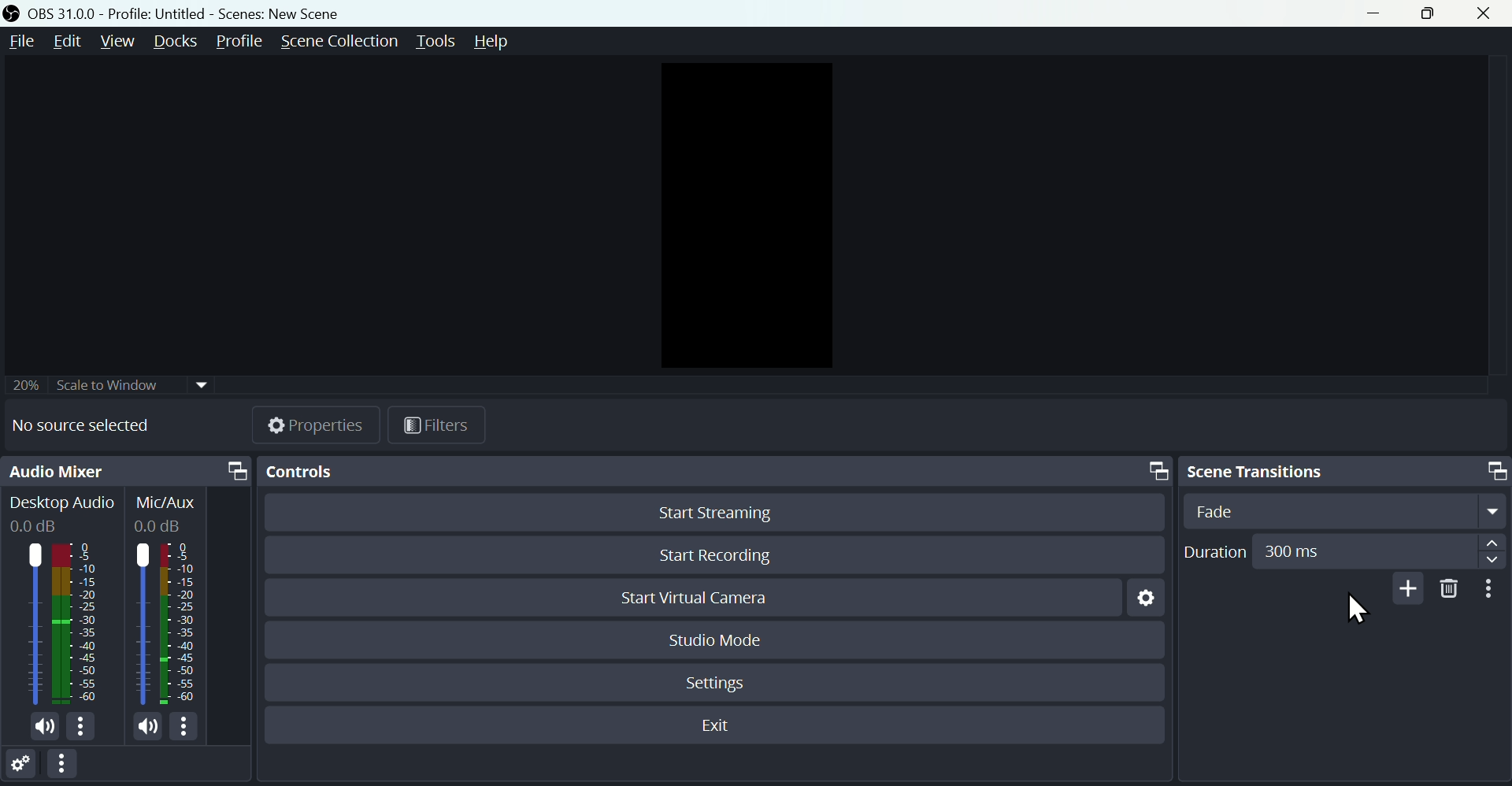 The height and width of the screenshot is (786, 1512). What do you see at coordinates (1342, 553) in the screenshot?
I see `Duration` at bounding box center [1342, 553].